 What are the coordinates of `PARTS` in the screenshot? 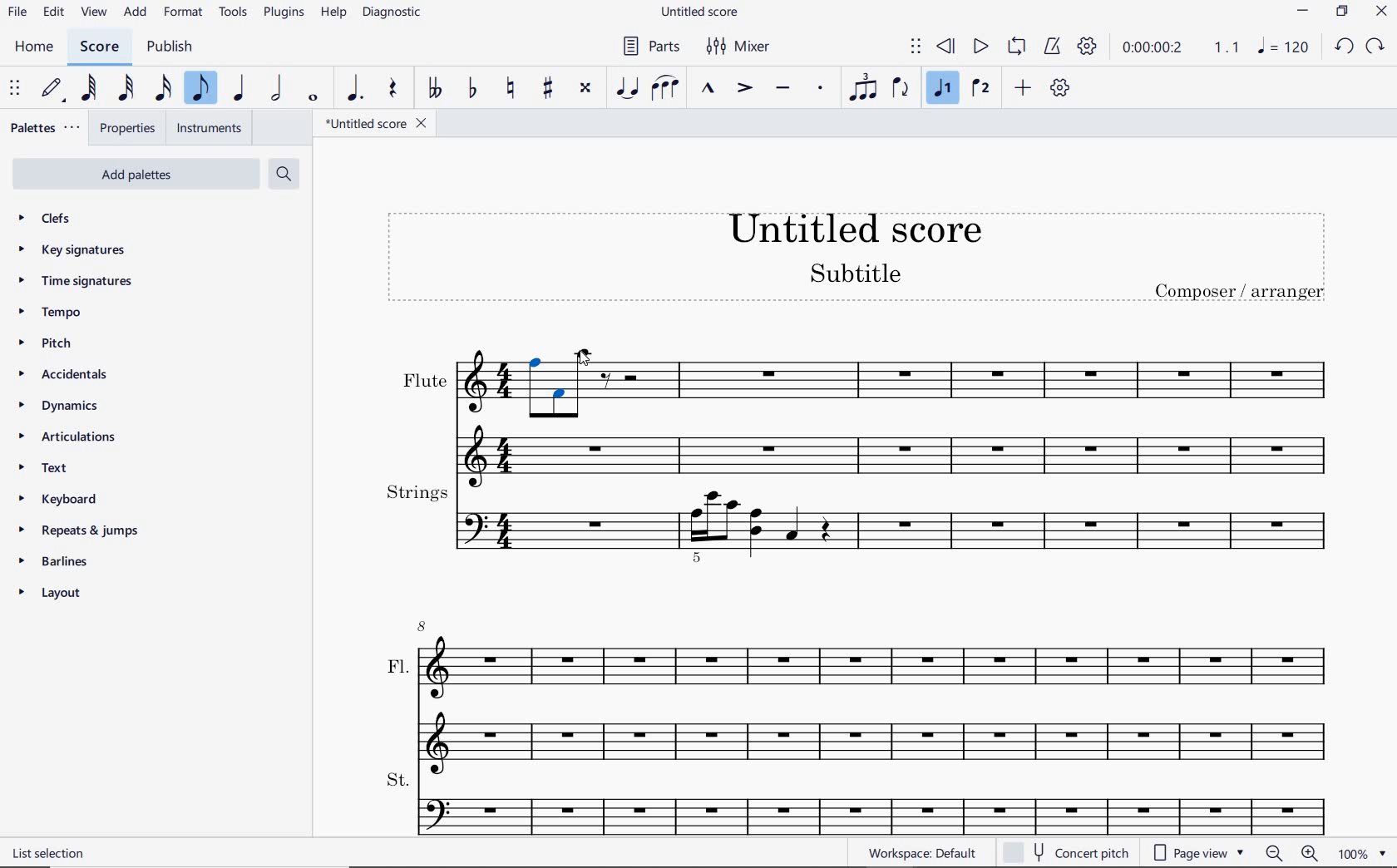 It's located at (650, 47).